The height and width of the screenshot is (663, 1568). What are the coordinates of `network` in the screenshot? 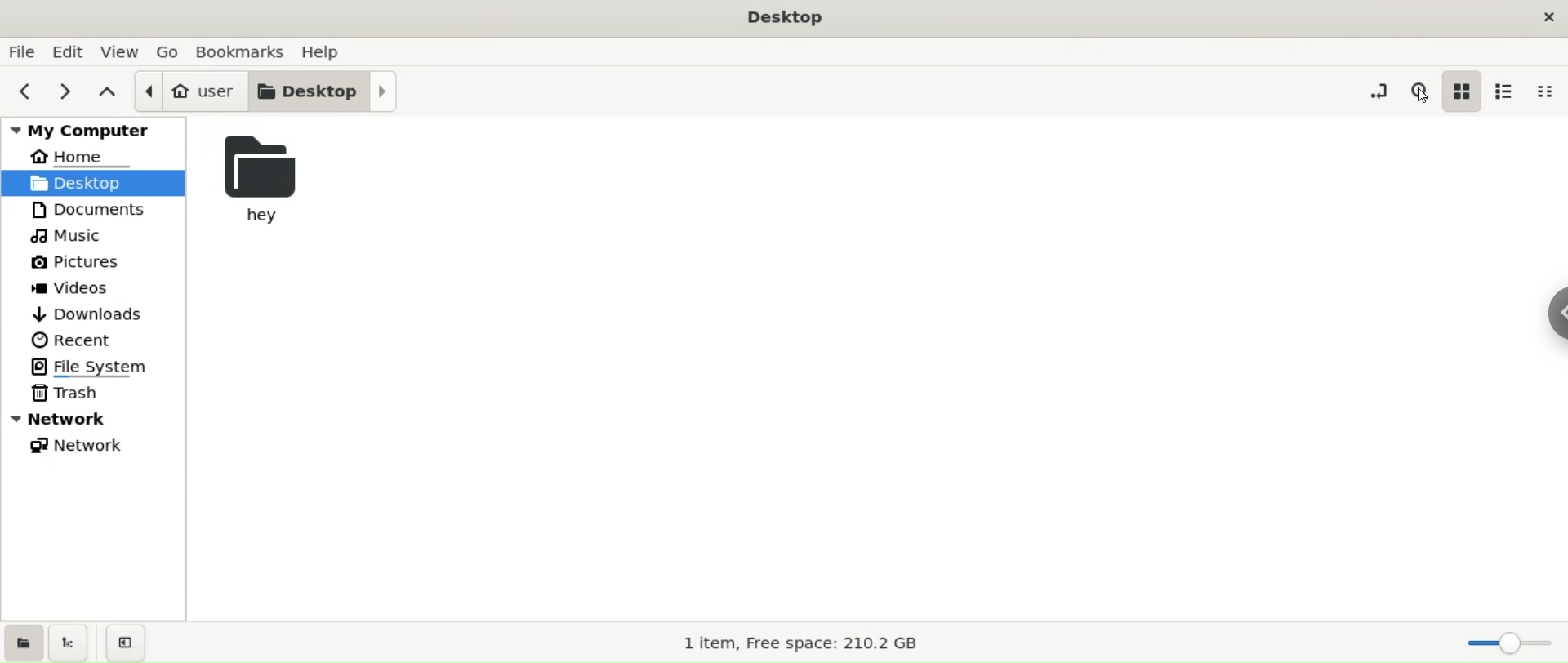 It's located at (93, 420).